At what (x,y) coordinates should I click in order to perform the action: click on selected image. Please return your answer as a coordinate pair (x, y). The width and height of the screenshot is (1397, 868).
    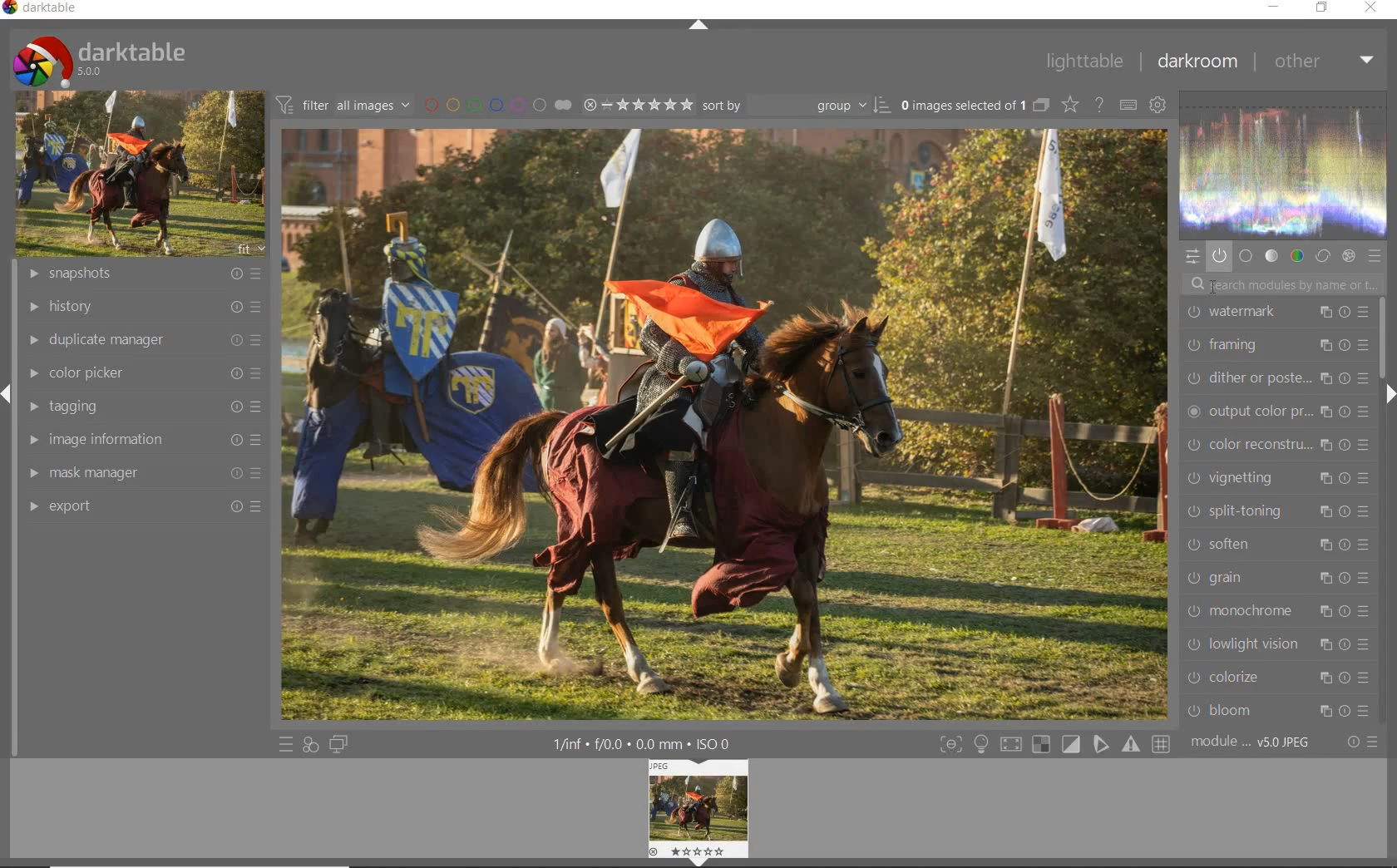
    Looking at the image, I should click on (723, 423).